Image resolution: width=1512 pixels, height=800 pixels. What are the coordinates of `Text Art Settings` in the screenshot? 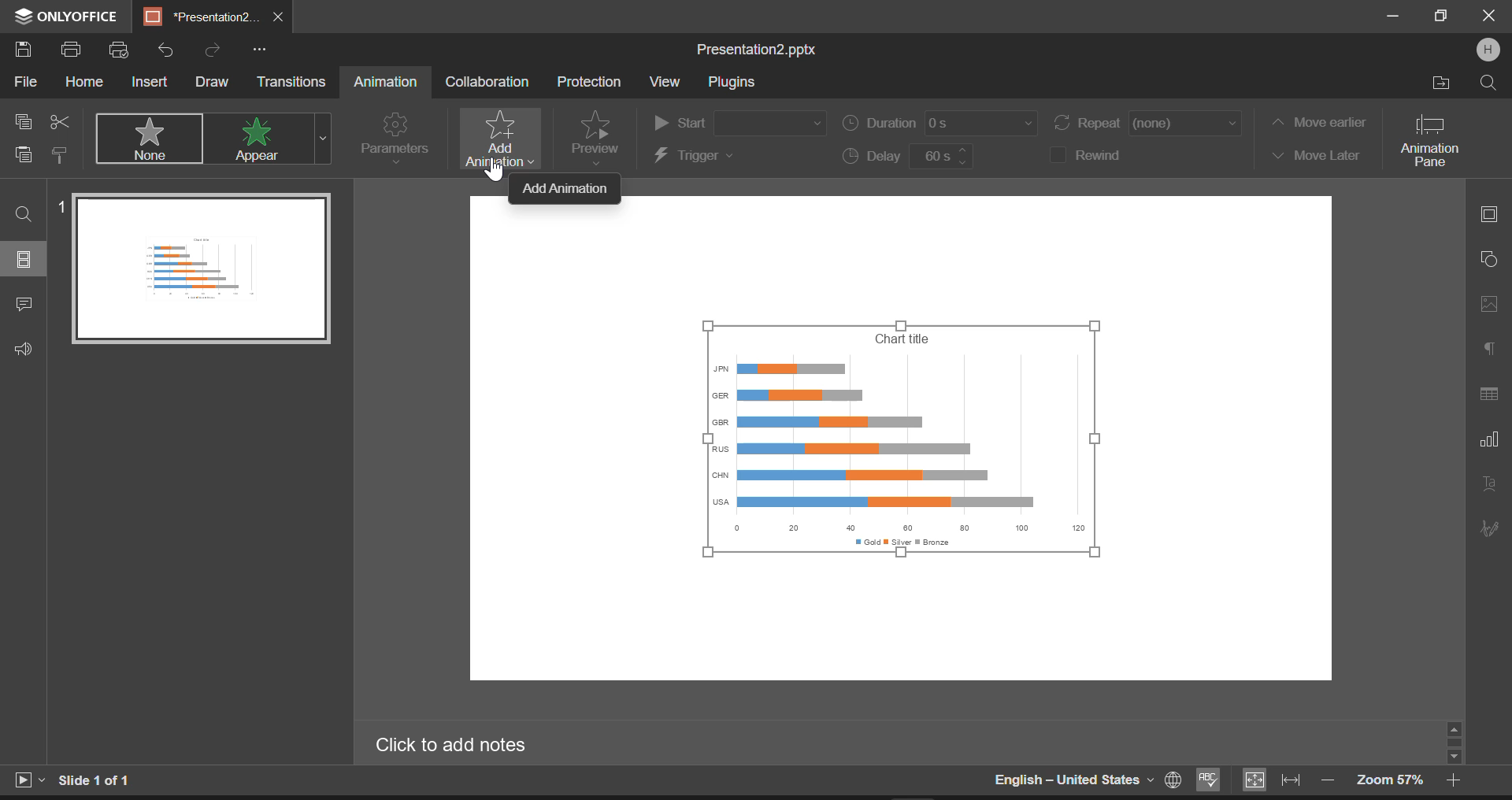 It's located at (1488, 486).